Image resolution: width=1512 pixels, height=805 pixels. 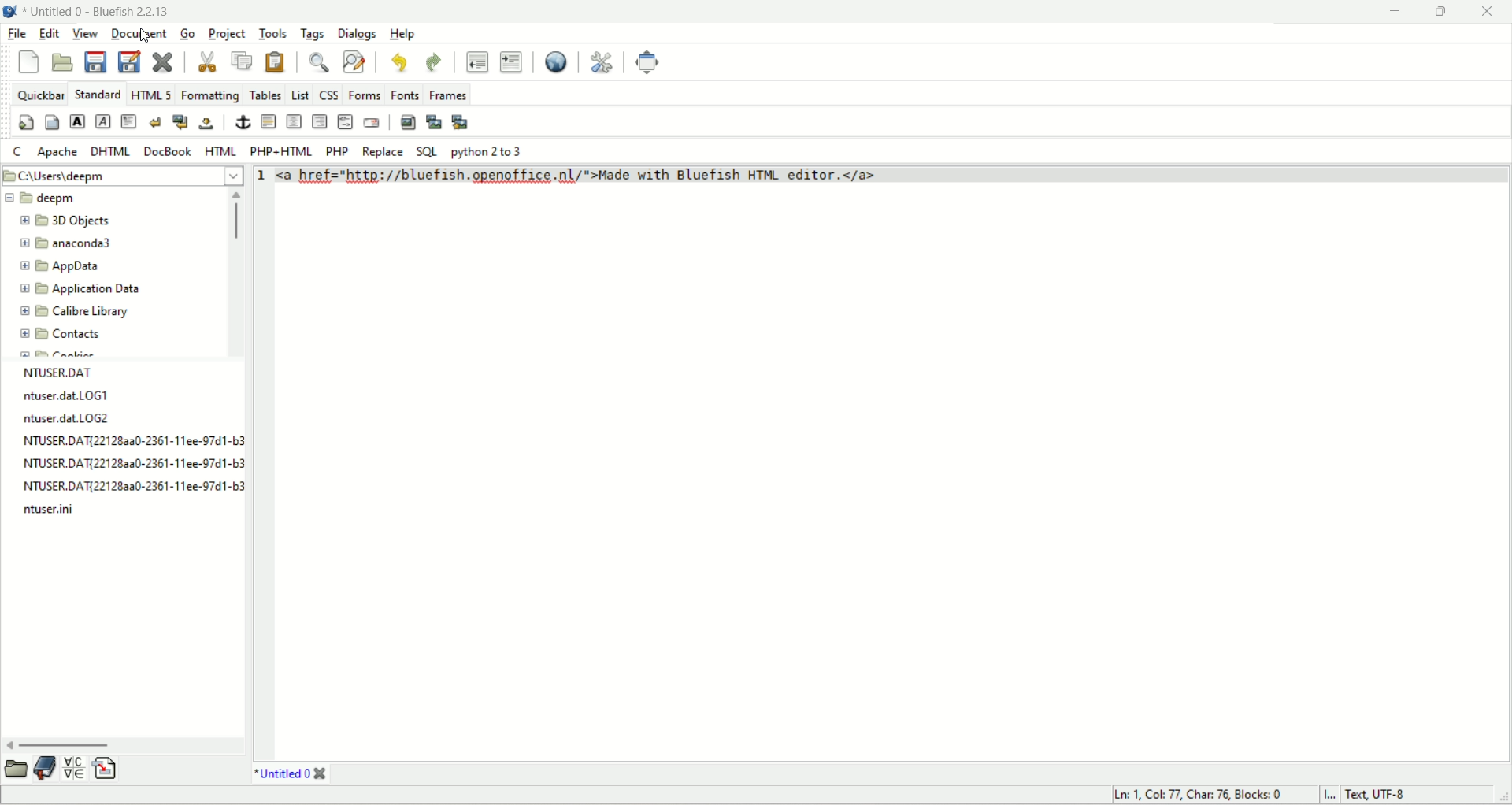 I want to click on python 2 to 3, so click(x=488, y=150).